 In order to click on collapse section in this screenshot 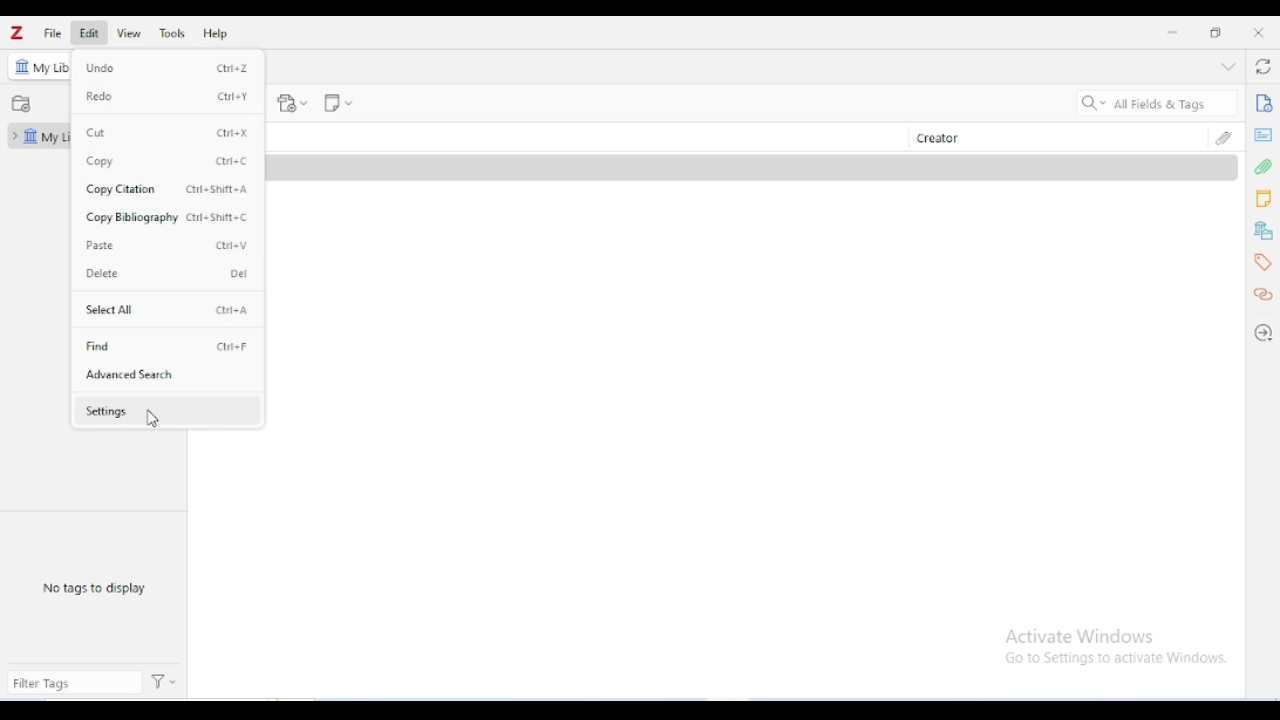, I will do `click(1228, 66)`.